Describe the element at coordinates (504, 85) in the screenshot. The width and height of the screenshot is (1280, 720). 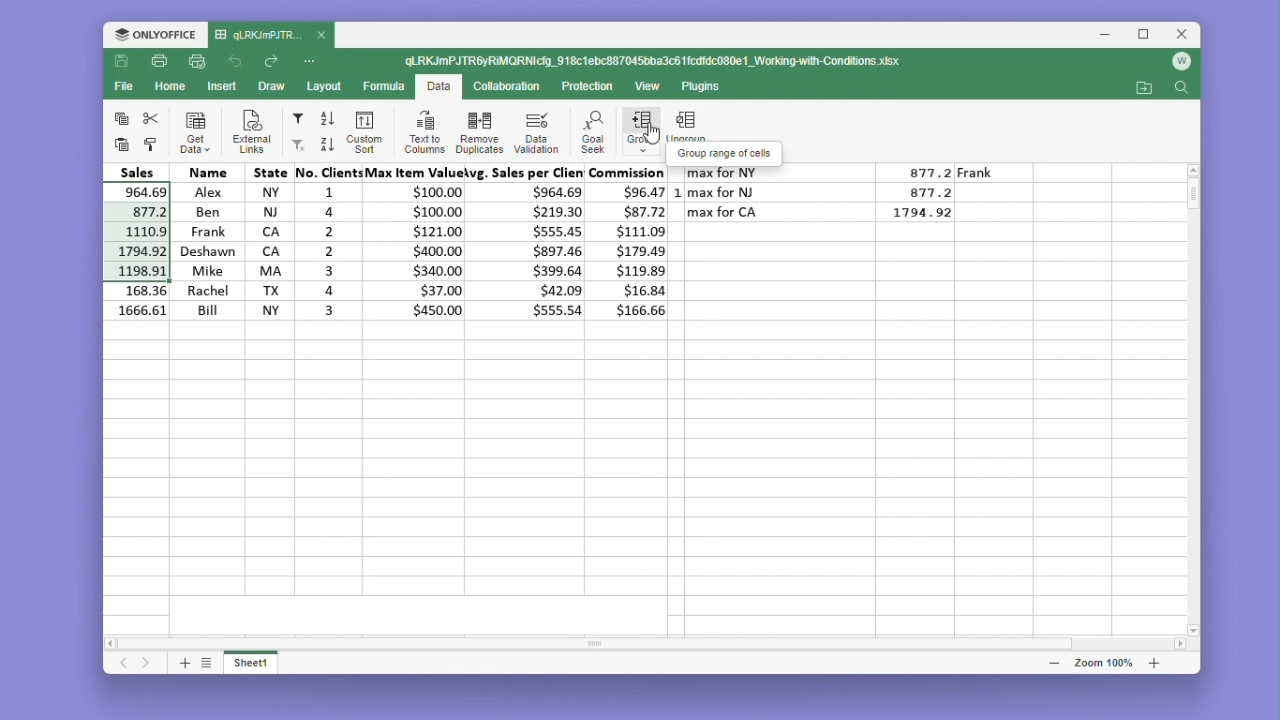
I see `Collaboration` at that location.